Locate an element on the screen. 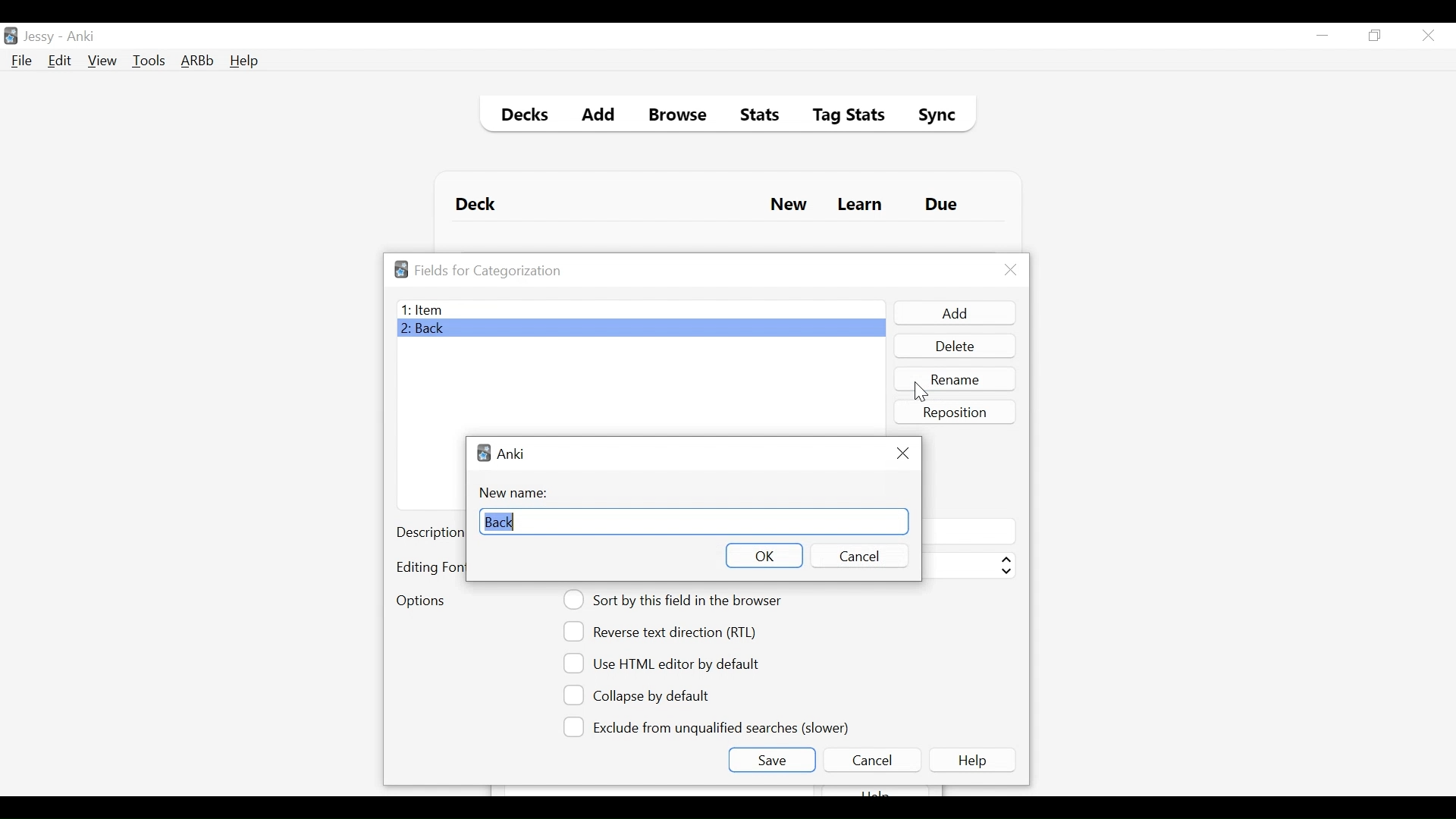 The image size is (1456, 819). Description is located at coordinates (429, 534).